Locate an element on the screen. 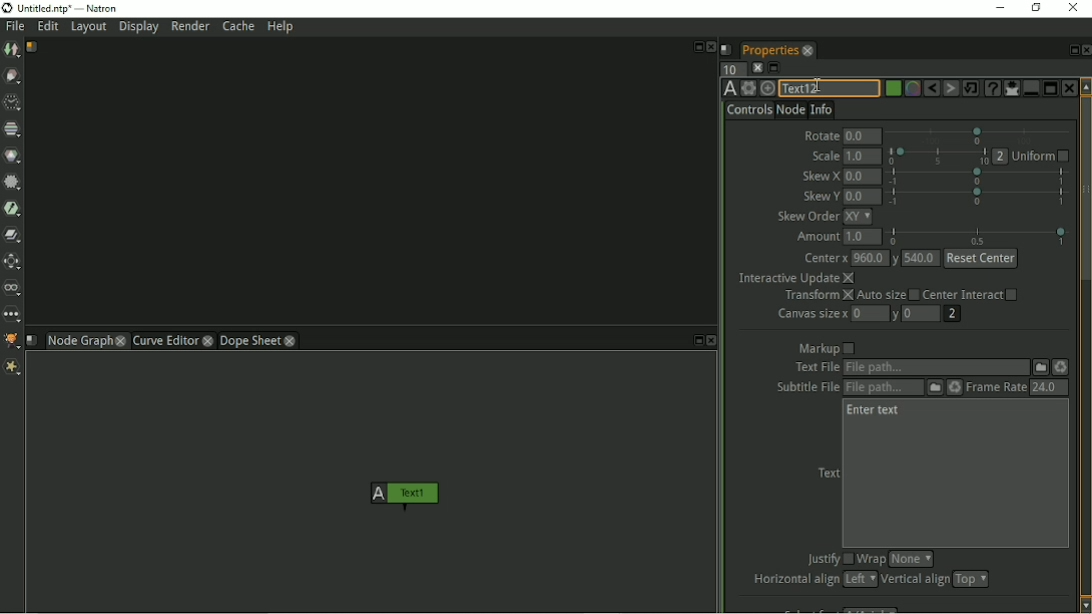  TextOFX Version 6.13 is located at coordinates (730, 88).